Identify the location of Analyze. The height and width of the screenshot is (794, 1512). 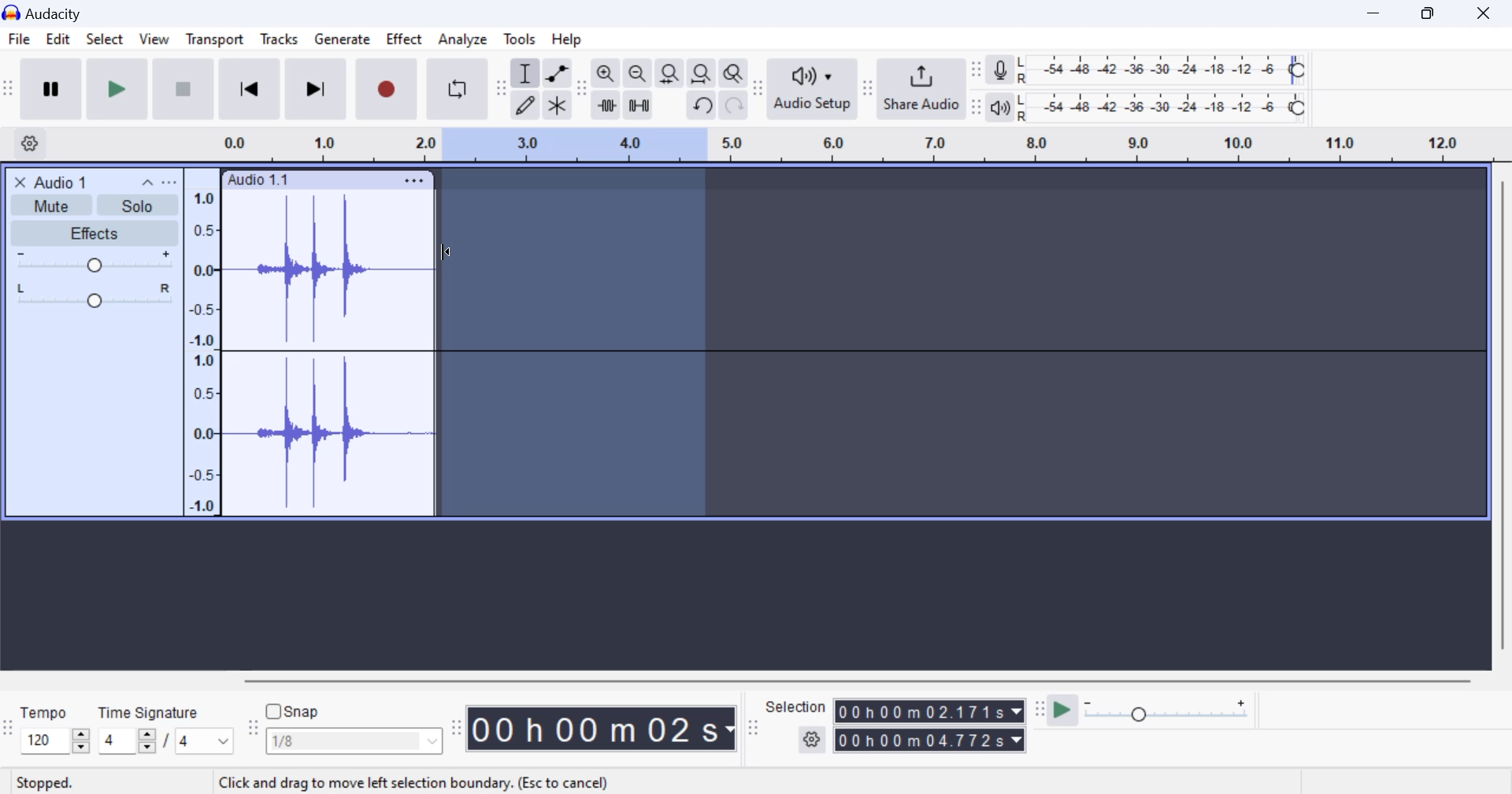
(463, 39).